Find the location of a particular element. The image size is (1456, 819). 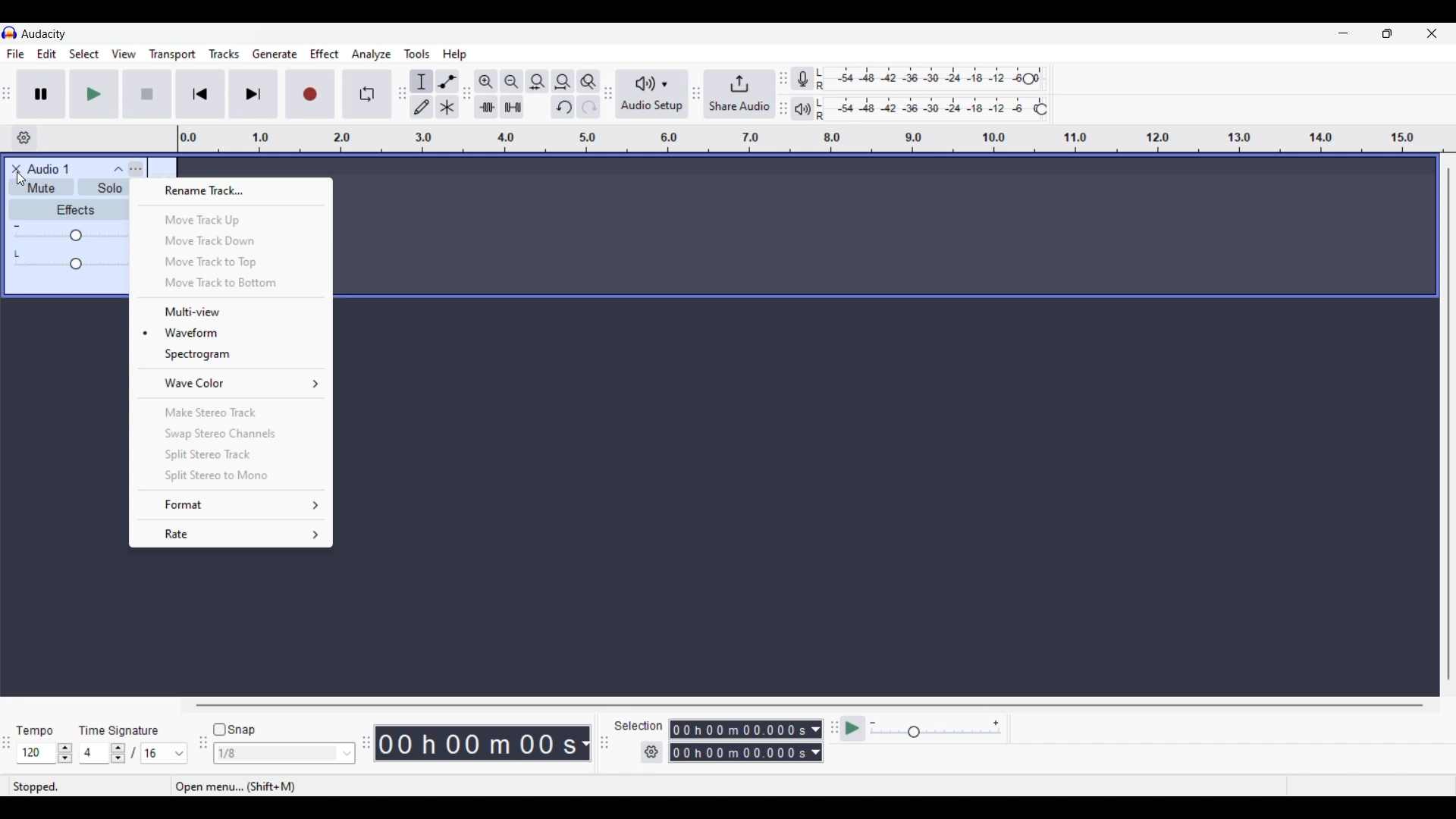

Rename track is located at coordinates (231, 191).